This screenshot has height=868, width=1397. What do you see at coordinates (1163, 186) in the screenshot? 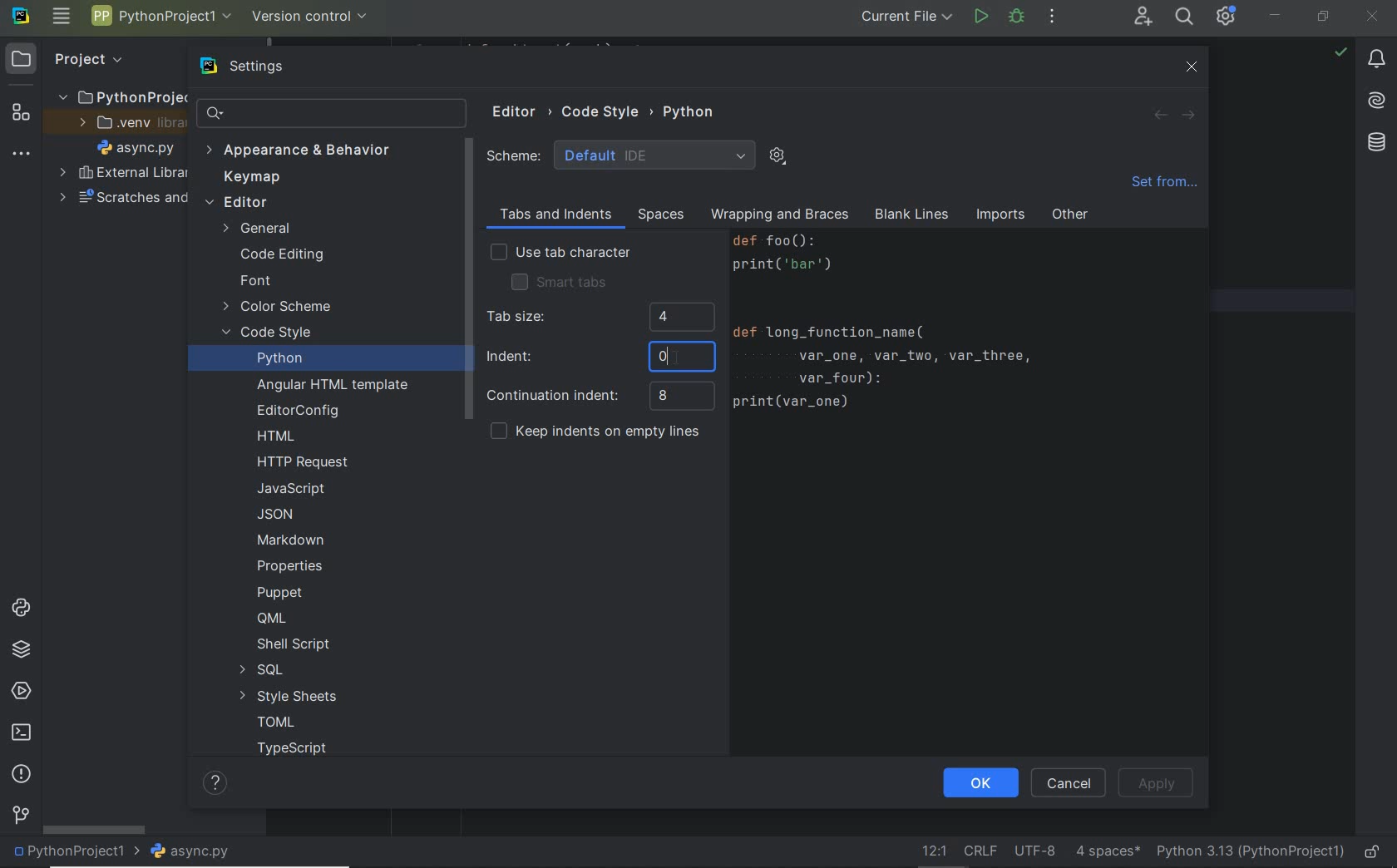
I see `set from` at bounding box center [1163, 186].